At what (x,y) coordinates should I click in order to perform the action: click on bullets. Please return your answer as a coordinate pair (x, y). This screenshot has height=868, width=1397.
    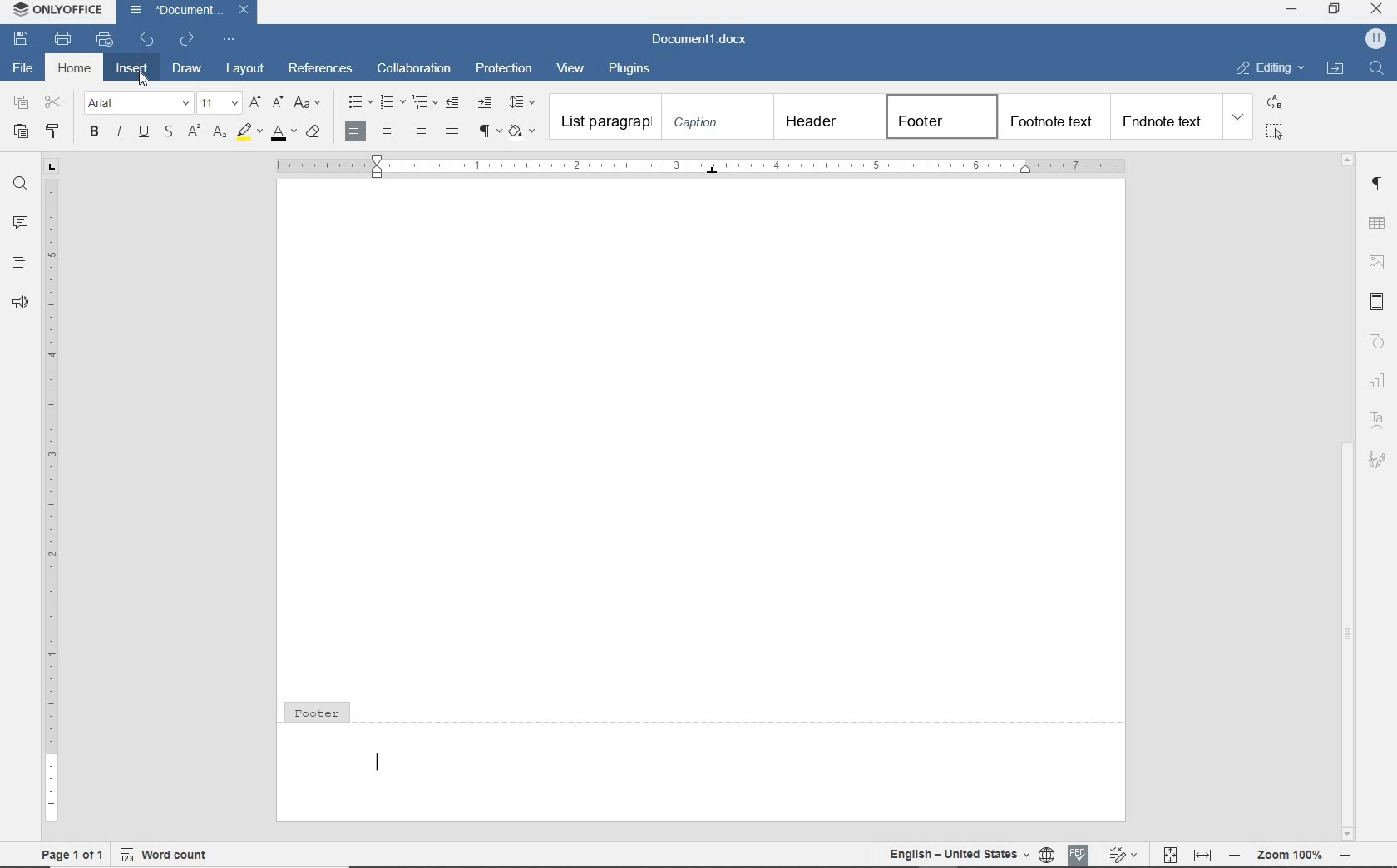
    Looking at the image, I should click on (358, 101).